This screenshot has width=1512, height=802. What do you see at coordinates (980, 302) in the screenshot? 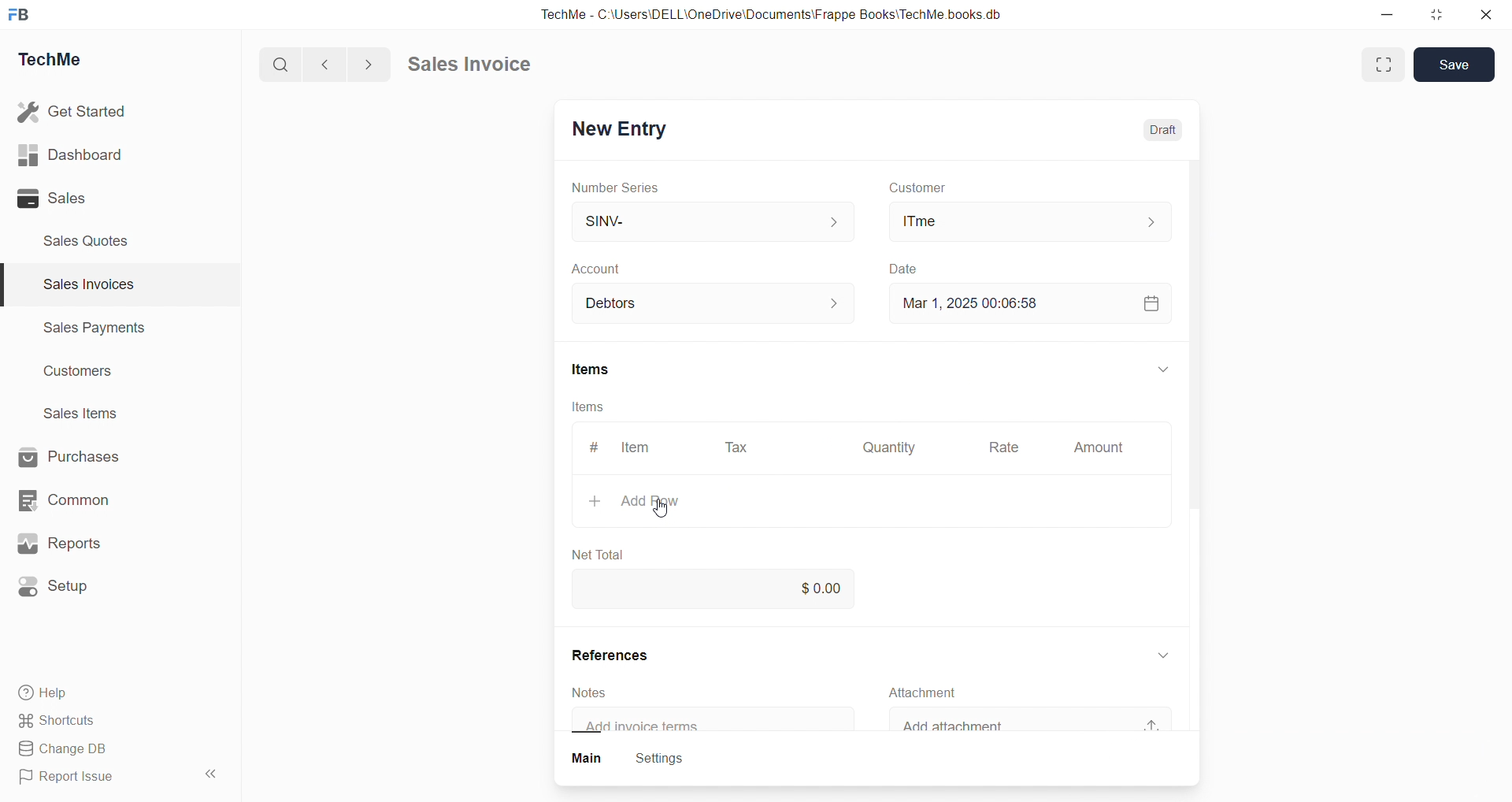
I see `Mar 1, 2025 00:06:58` at bounding box center [980, 302].